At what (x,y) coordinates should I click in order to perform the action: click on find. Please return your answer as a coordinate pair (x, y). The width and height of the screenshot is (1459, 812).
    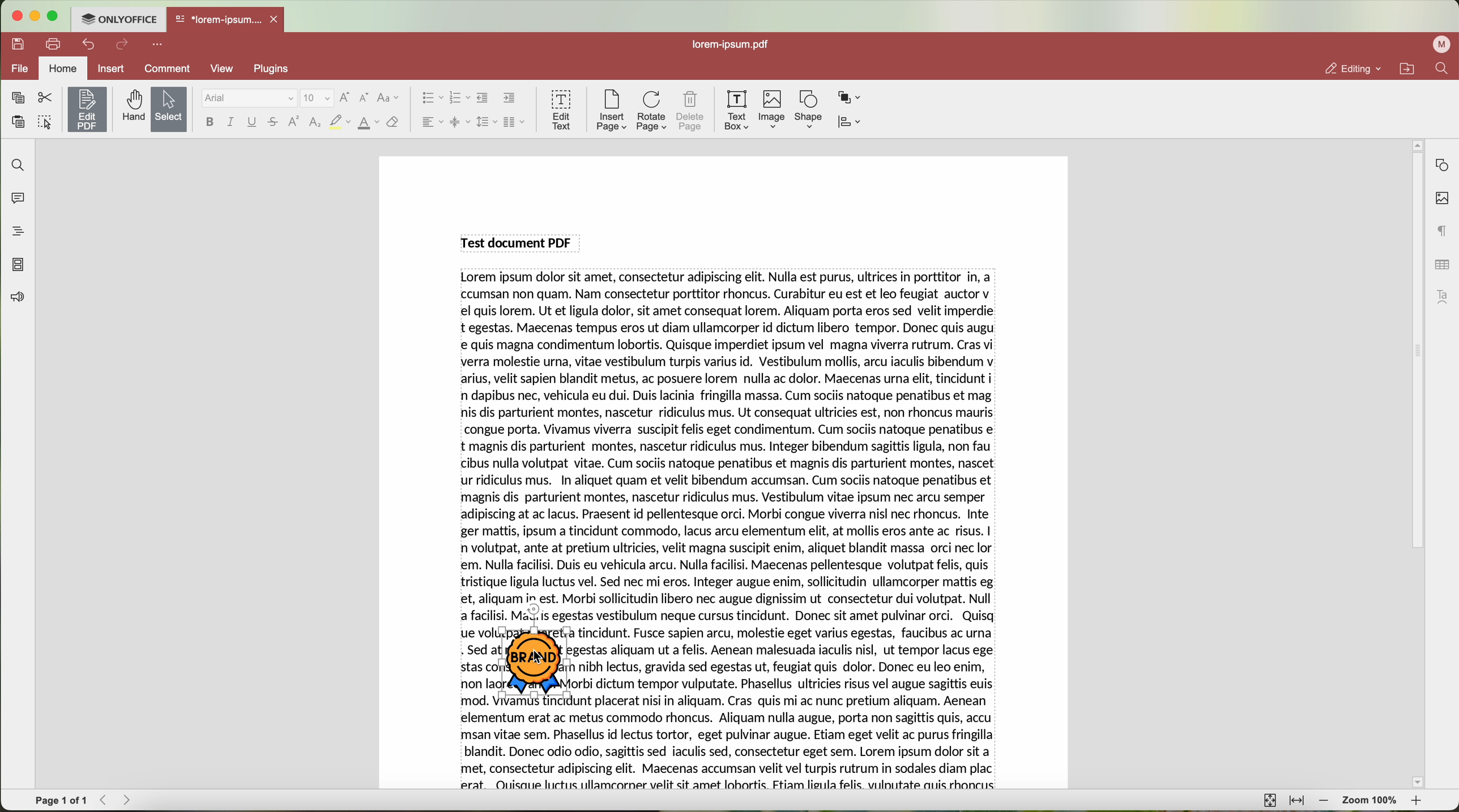
    Looking at the image, I should click on (15, 164).